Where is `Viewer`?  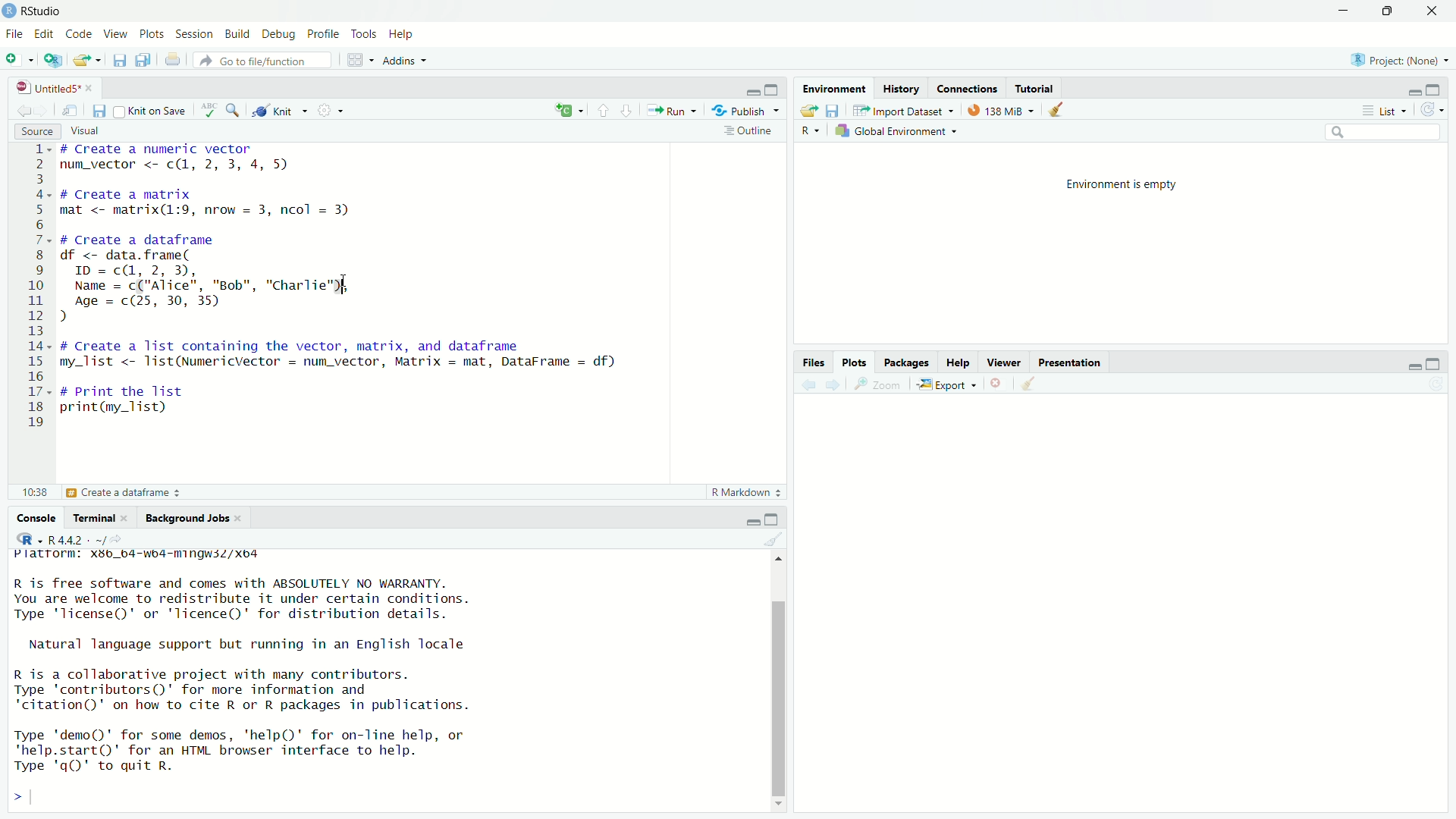
Viewer is located at coordinates (1005, 362).